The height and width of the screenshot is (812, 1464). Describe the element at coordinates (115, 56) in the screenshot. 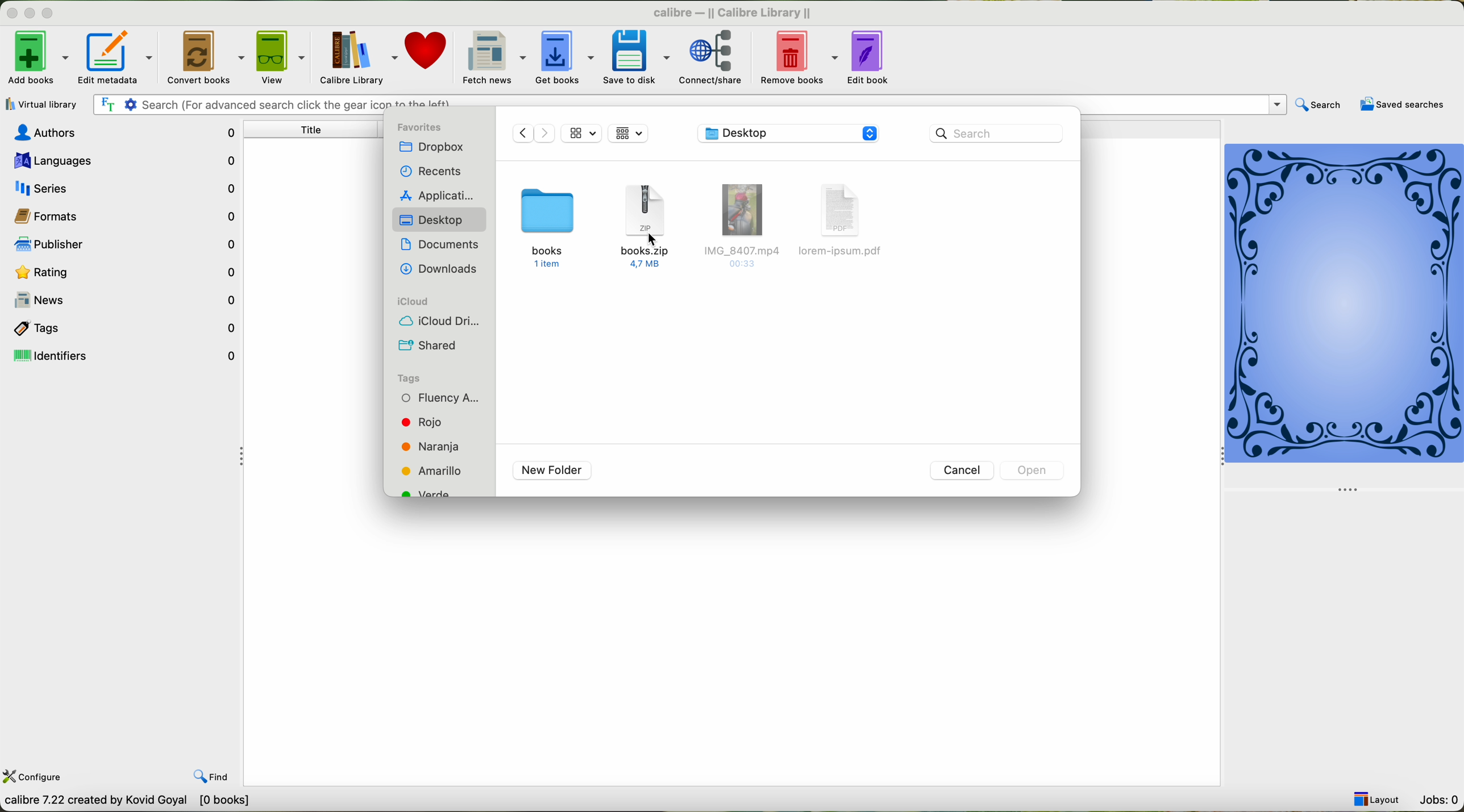

I see `edit metadata` at that location.